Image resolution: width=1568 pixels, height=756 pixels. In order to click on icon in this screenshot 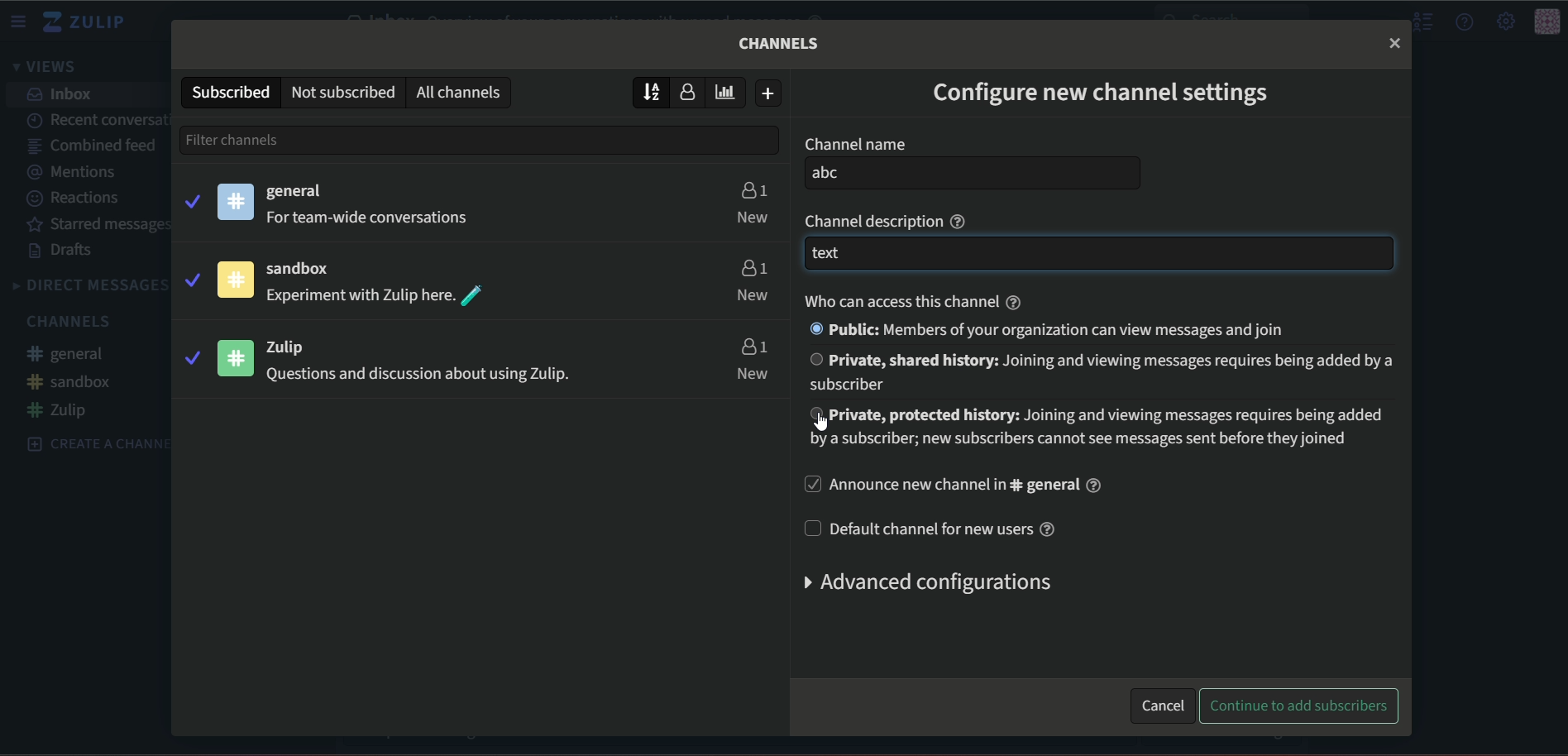, I will do `click(237, 357)`.